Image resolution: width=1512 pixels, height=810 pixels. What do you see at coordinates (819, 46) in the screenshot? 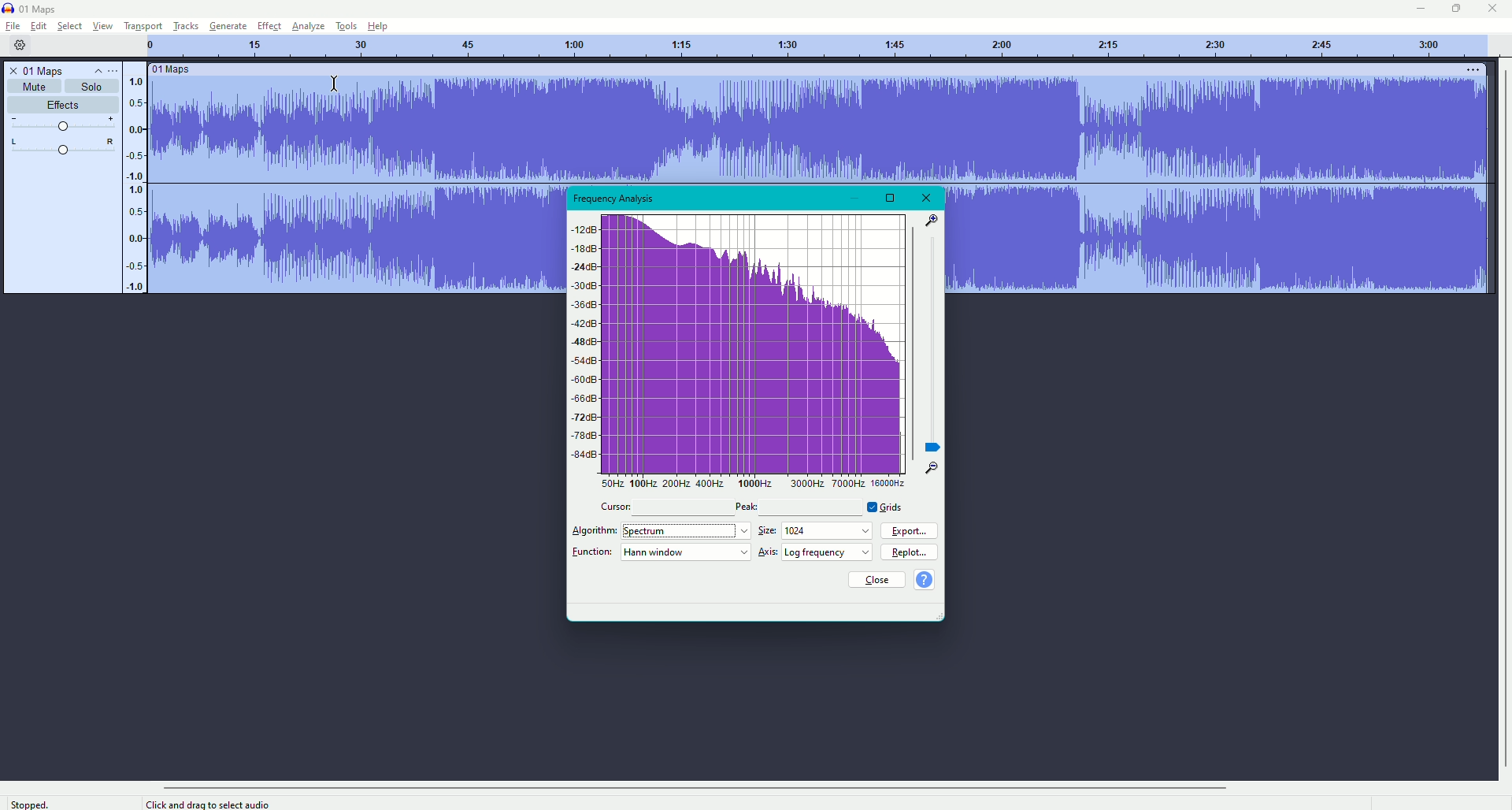
I see `Track numbers` at bounding box center [819, 46].